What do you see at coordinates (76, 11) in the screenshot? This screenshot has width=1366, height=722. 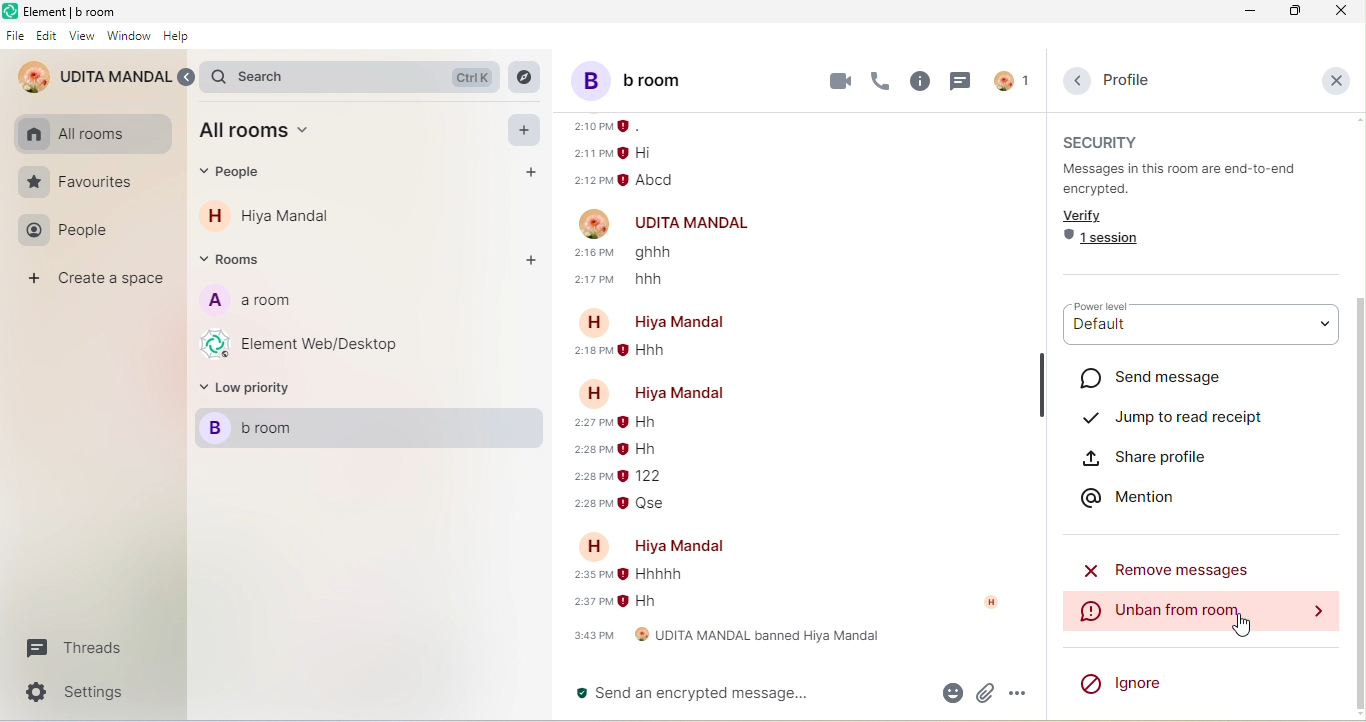 I see `element b room` at bounding box center [76, 11].